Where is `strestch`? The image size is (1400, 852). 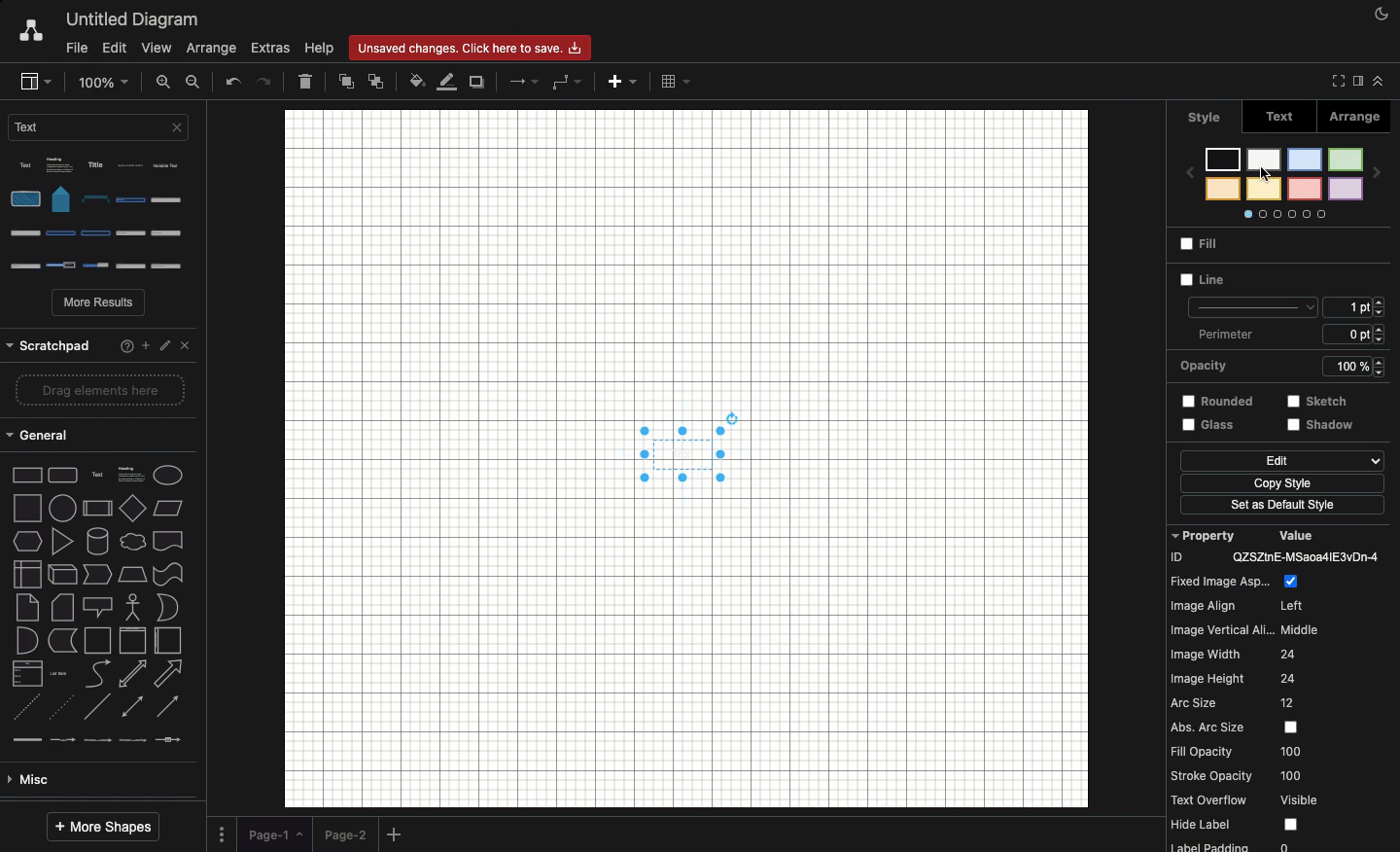 strestch is located at coordinates (1324, 401).